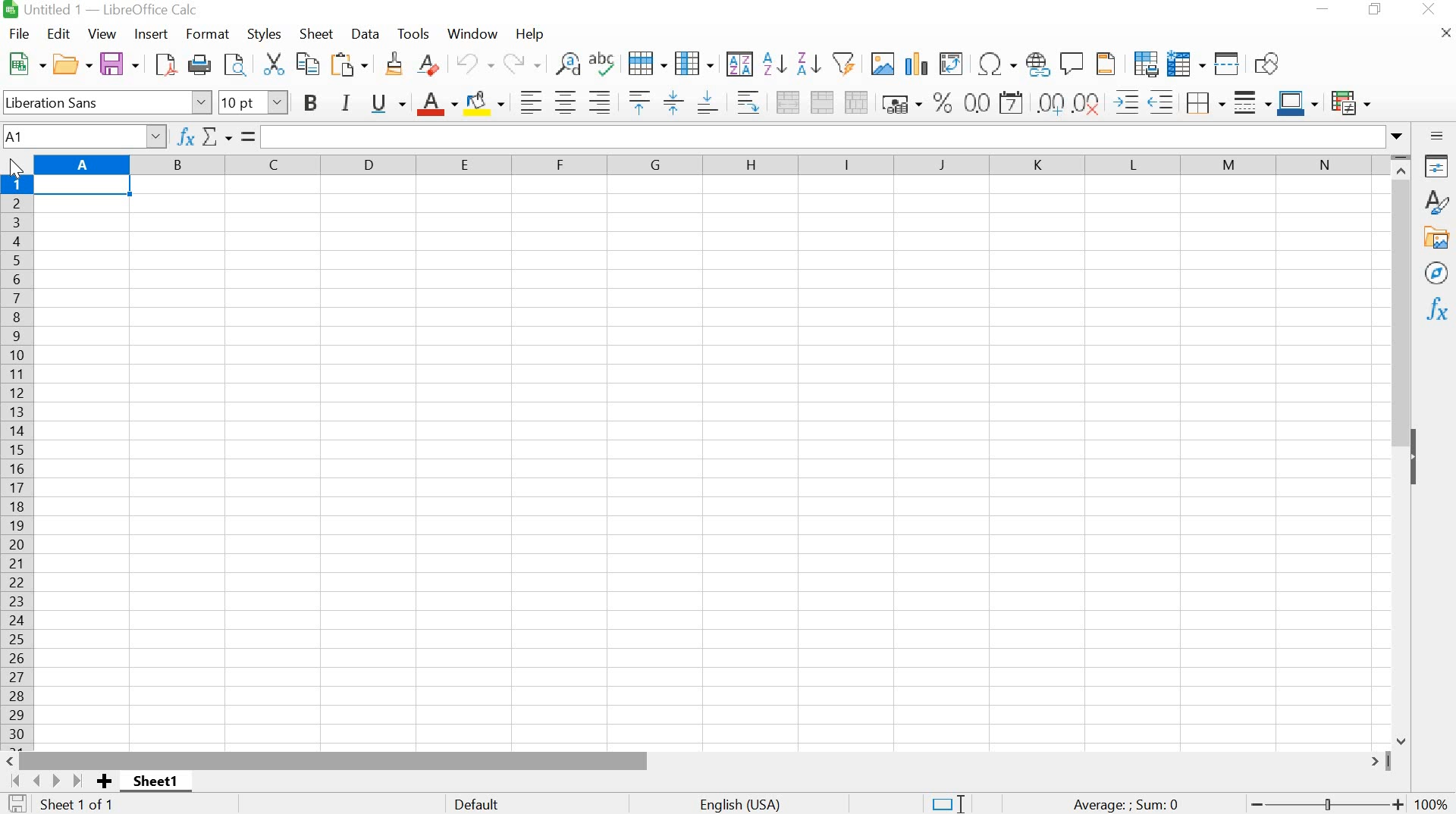  What do you see at coordinates (1438, 239) in the screenshot?
I see `Gallery` at bounding box center [1438, 239].